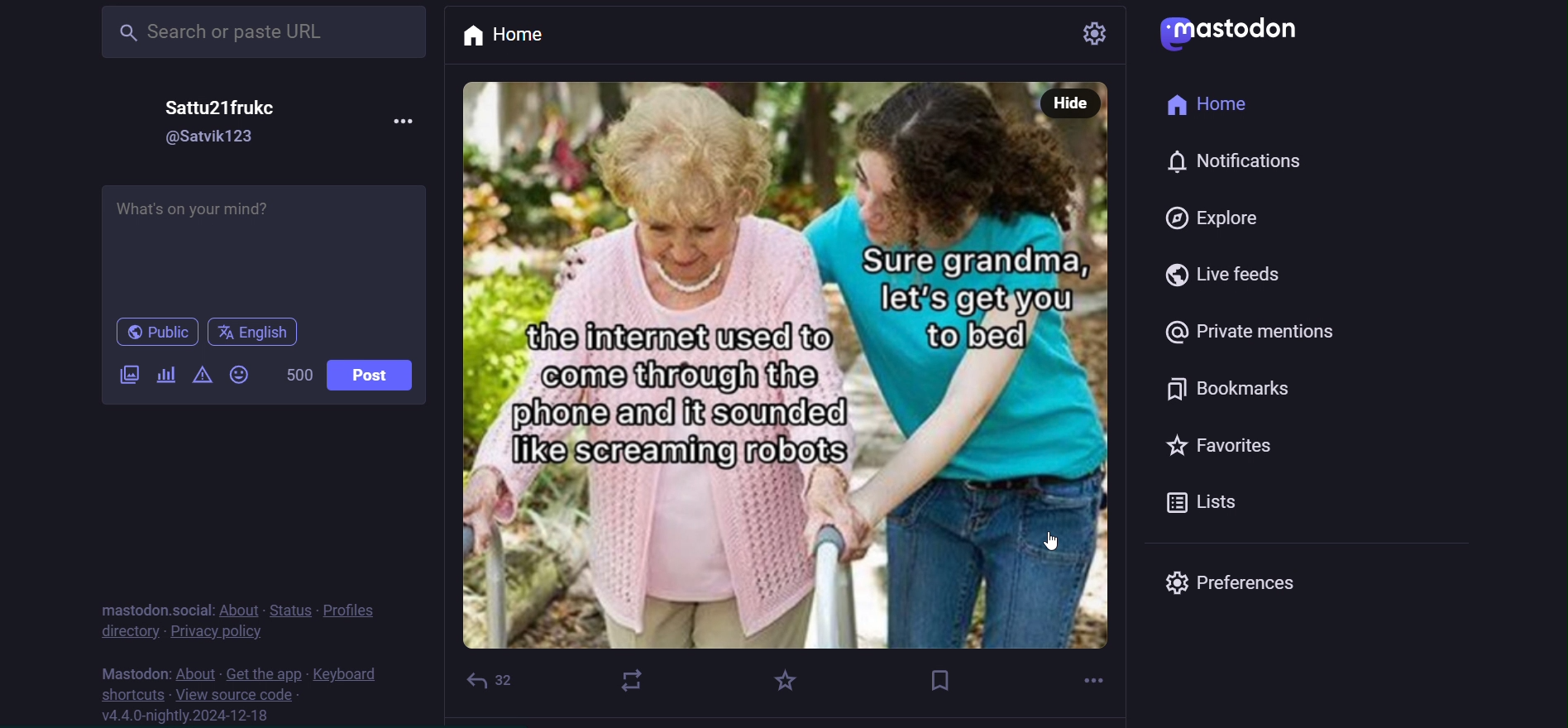  What do you see at coordinates (1093, 678) in the screenshot?
I see `more` at bounding box center [1093, 678].